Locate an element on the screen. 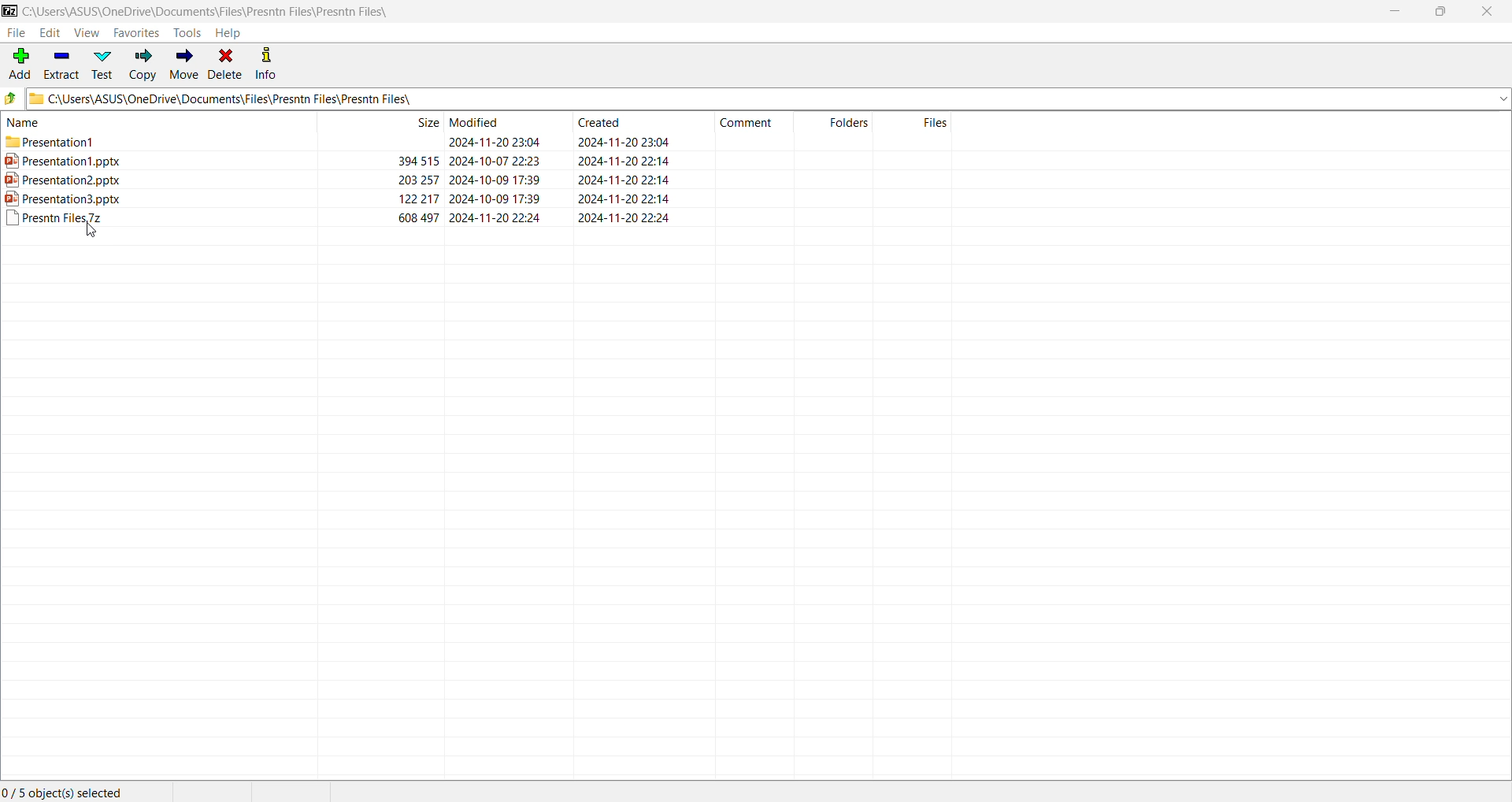  0/ 5 object(s) selected is located at coordinates (62, 791).